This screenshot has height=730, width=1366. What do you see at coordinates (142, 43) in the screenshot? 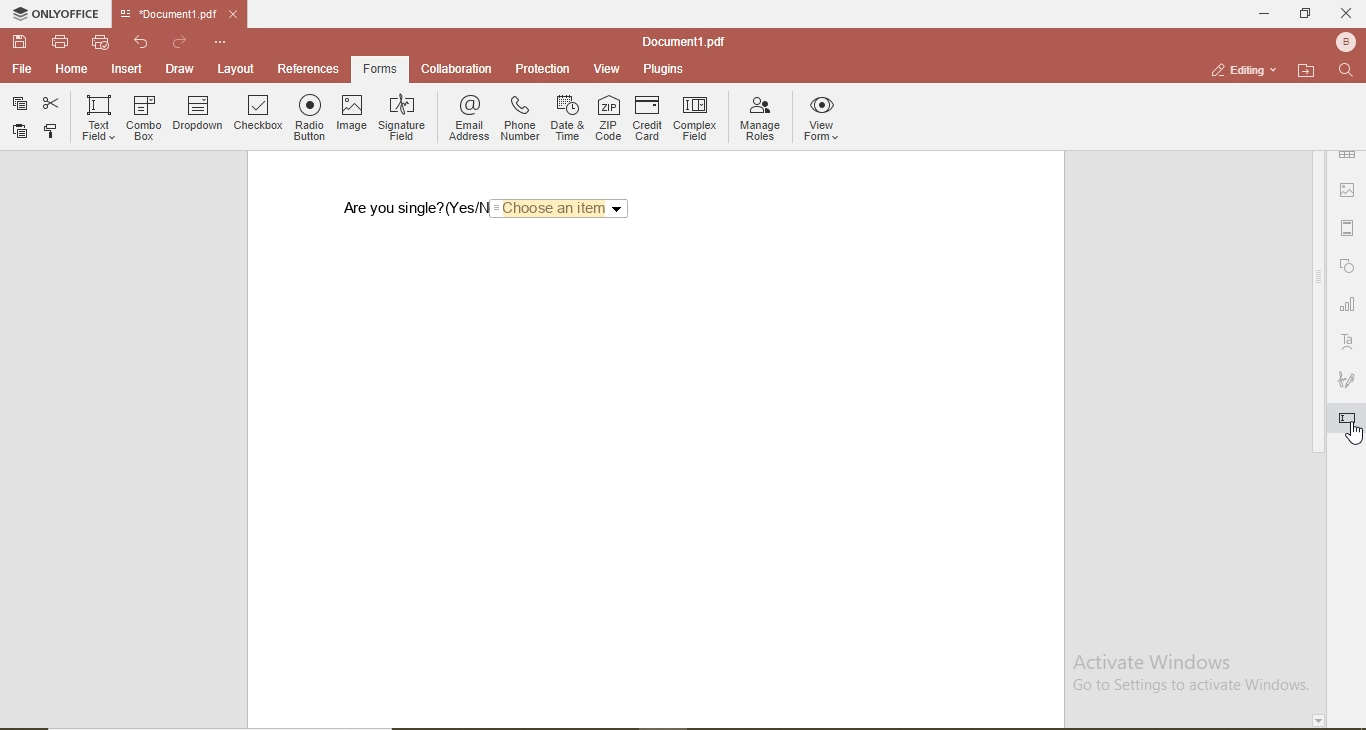
I see `undo` at bounding box center [142, 43].